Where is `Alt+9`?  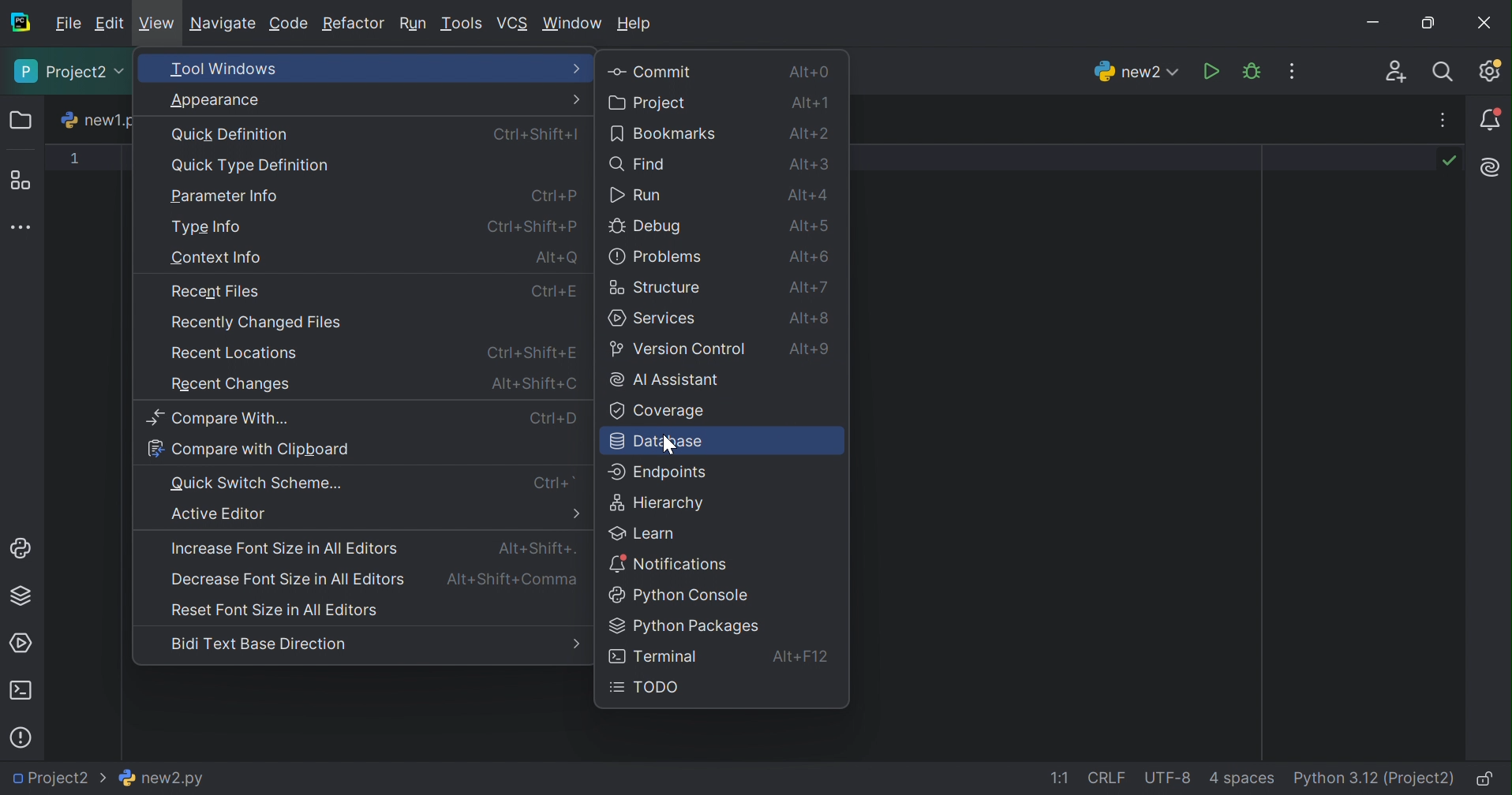 Alt+9 is located at coordinates (814, 352).